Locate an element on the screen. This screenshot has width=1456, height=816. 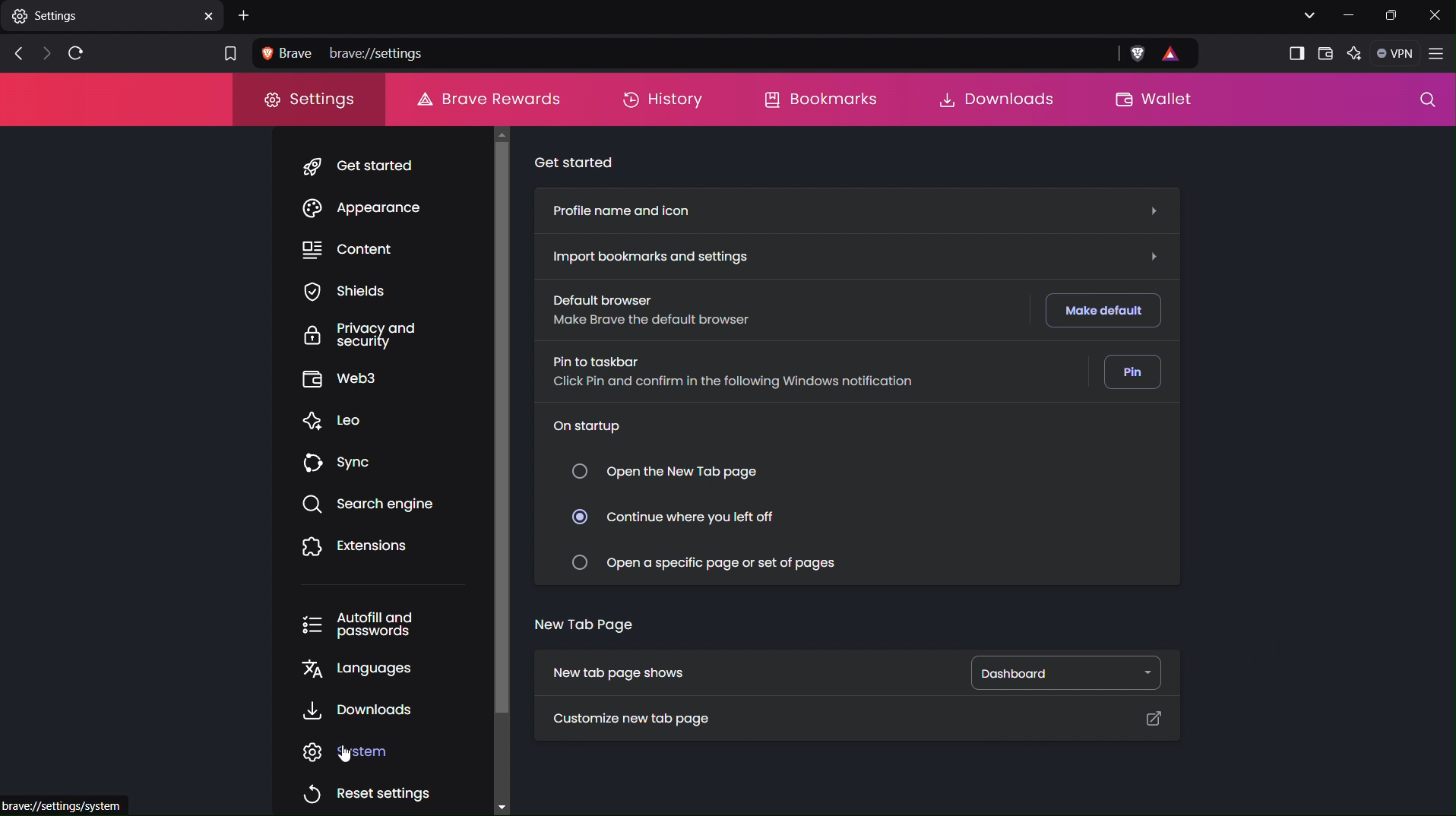
Bookmarks is located at coordinates (819, 100).